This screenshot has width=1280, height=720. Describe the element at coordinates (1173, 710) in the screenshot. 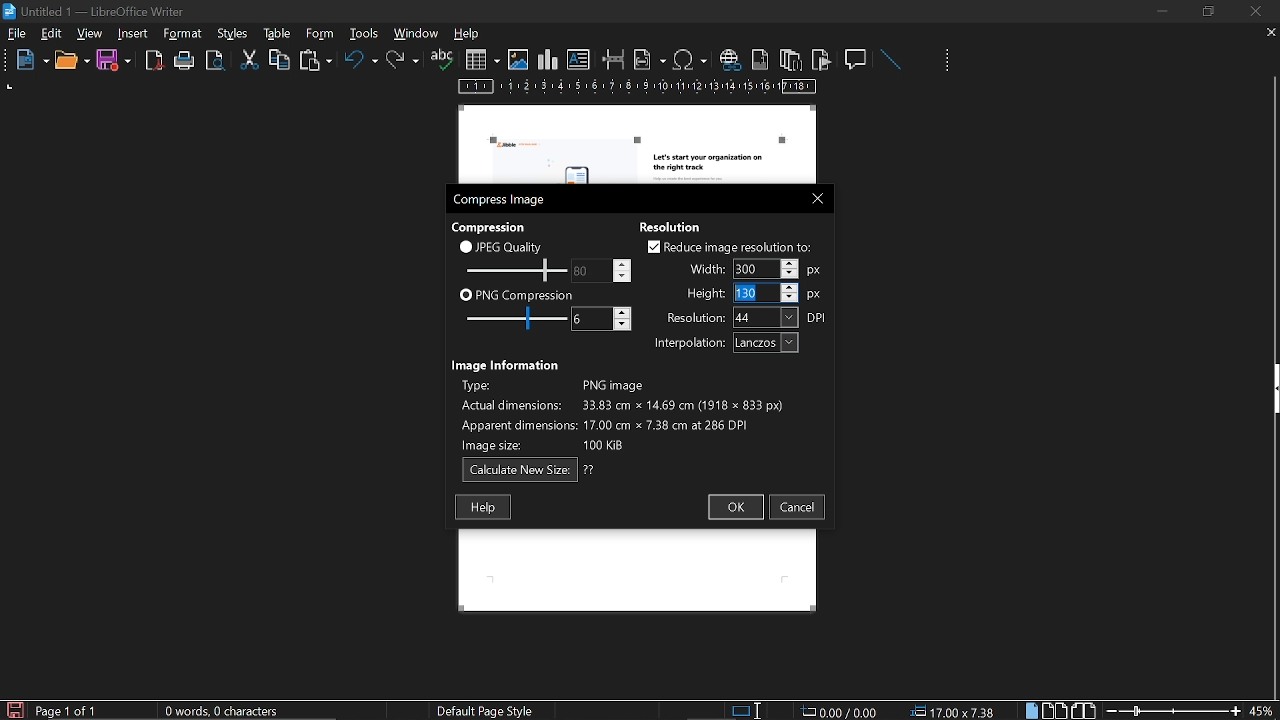

I see `change zoom` at that location.